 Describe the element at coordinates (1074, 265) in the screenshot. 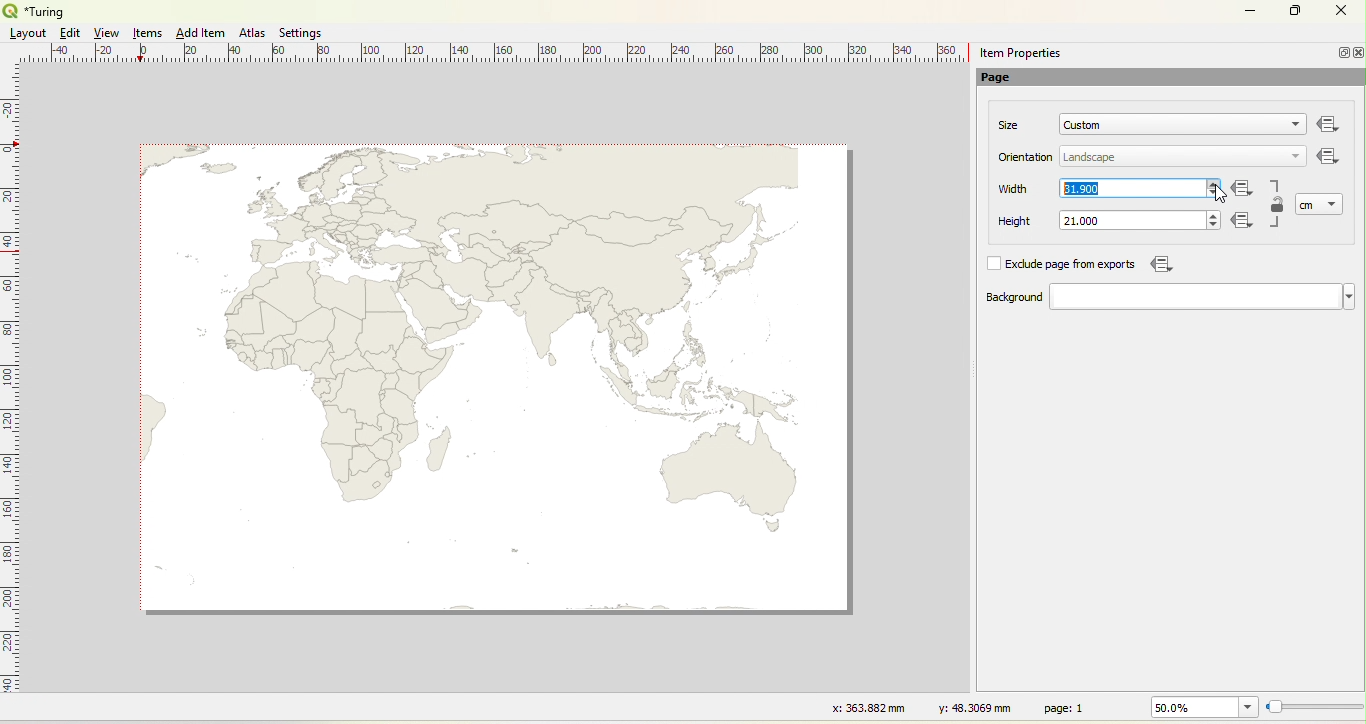

I see `Exclude page from exports` at that location.